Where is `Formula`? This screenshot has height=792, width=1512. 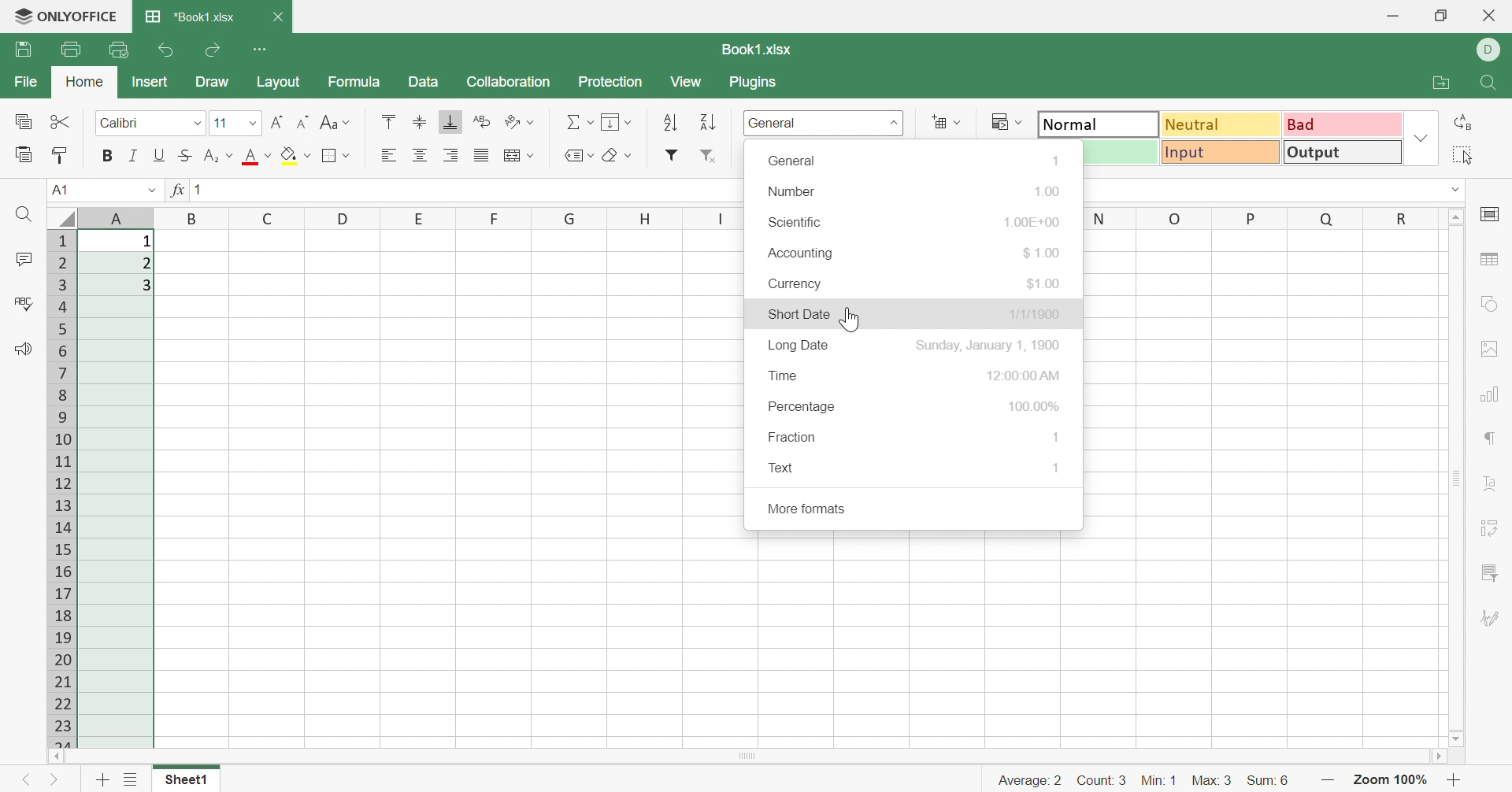 Formula is located at coordinates (354, 81).